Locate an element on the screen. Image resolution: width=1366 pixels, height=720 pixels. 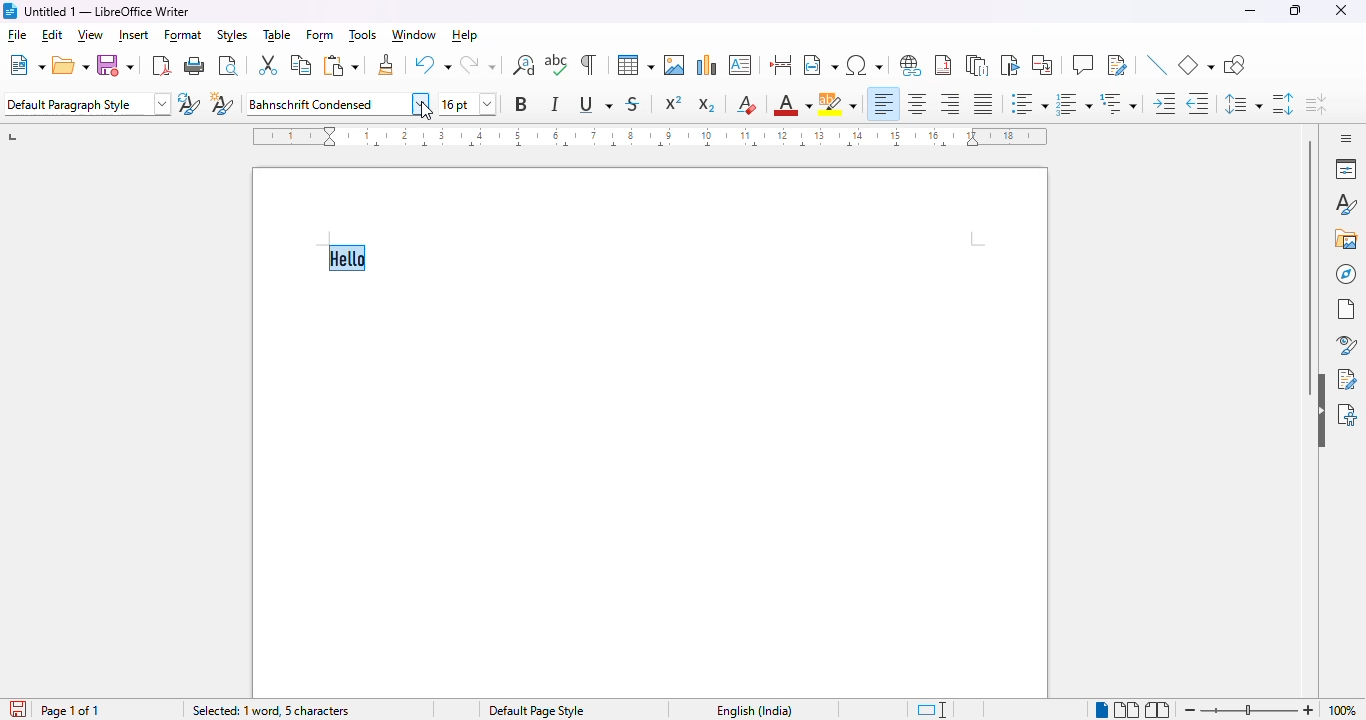
zoom factor is located at coordinates (1343, 710).